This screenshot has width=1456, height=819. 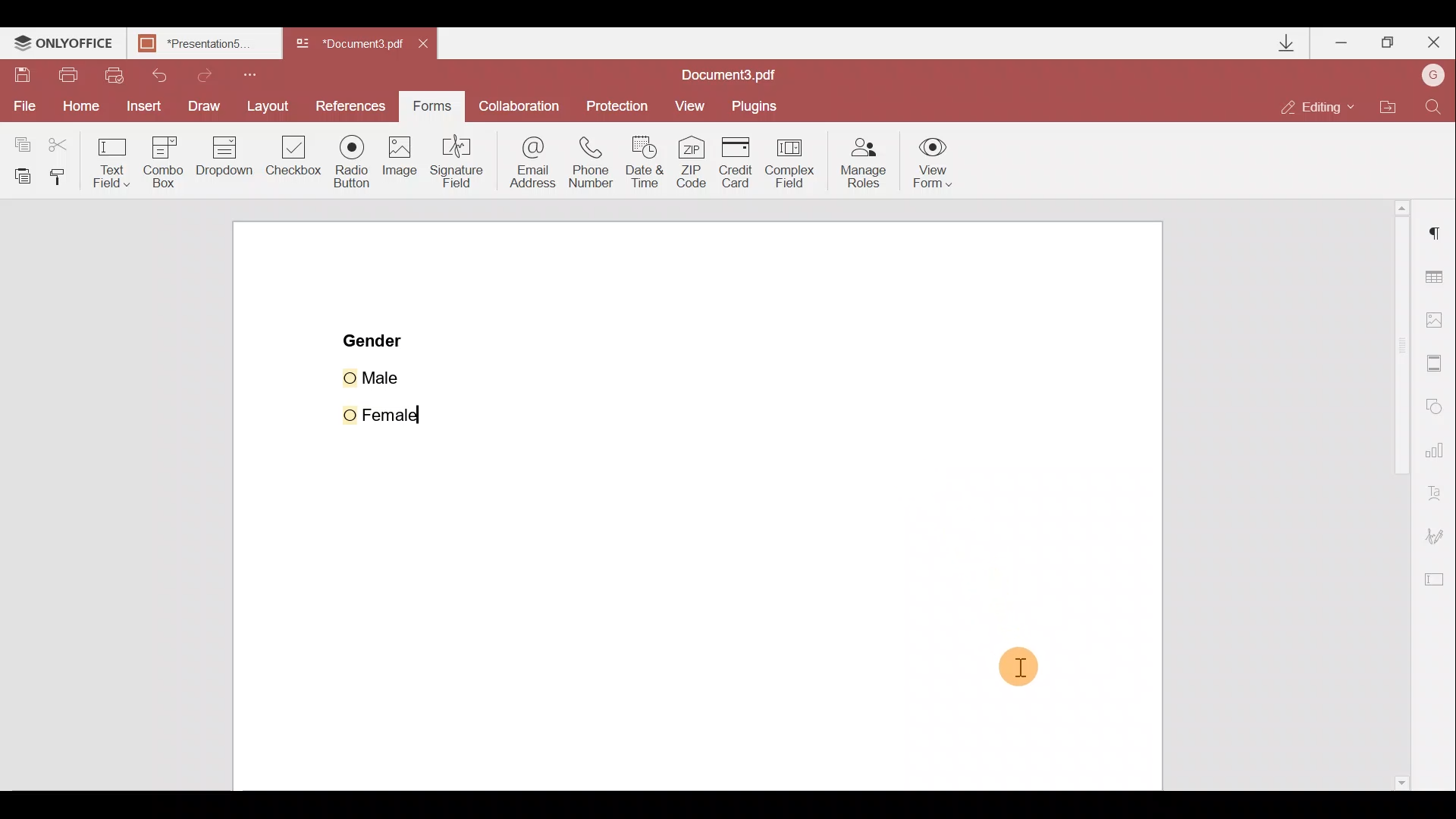 I want to click on Form settings, so click(x=1438, y=583).